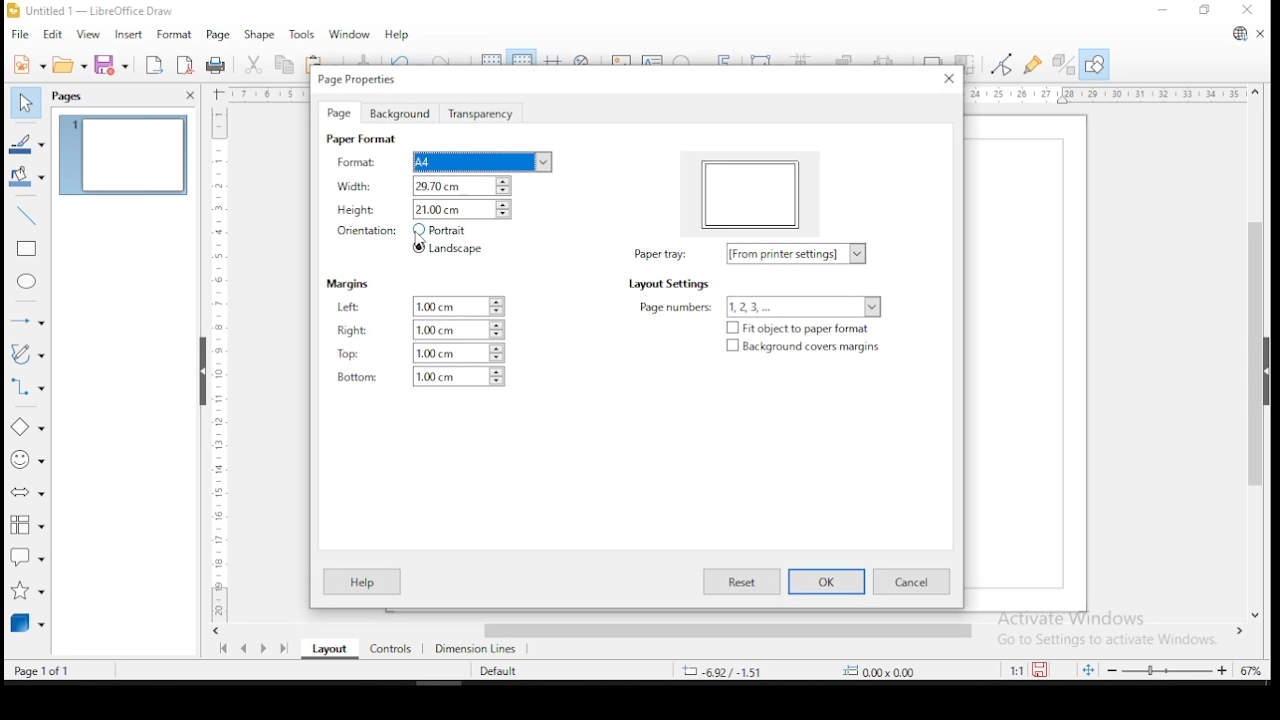 Image resolution: width=1280 pixels, height=720 pixels. Describe the element at coordinates (1033, 63) in the screenshot. I see `show glue point functions` at that location.